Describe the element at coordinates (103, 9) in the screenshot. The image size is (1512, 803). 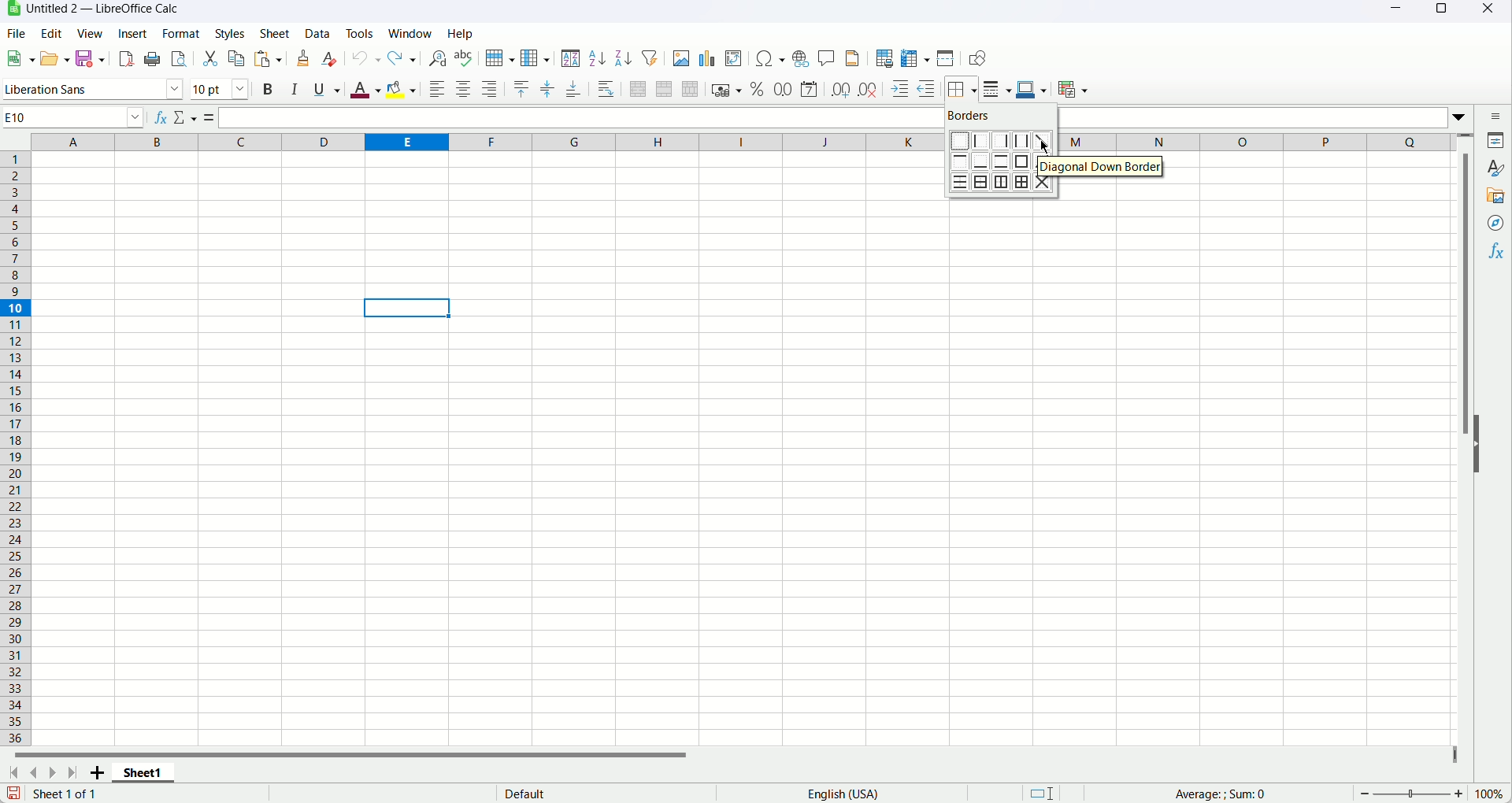
I see `Untitled 2 — LibreOffice Calc` at that location.